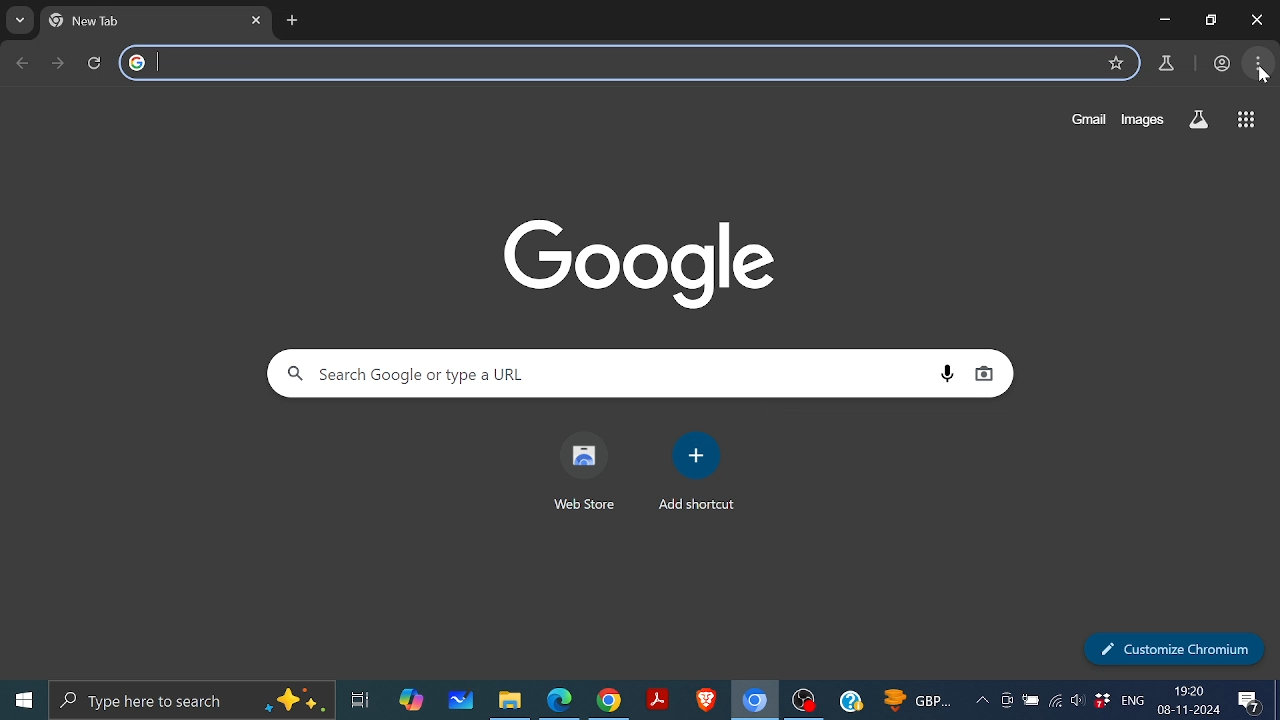  What do you see at coordinates (853, 699) in the screenshot?
I see `Help` at bounding box center [853, 699].